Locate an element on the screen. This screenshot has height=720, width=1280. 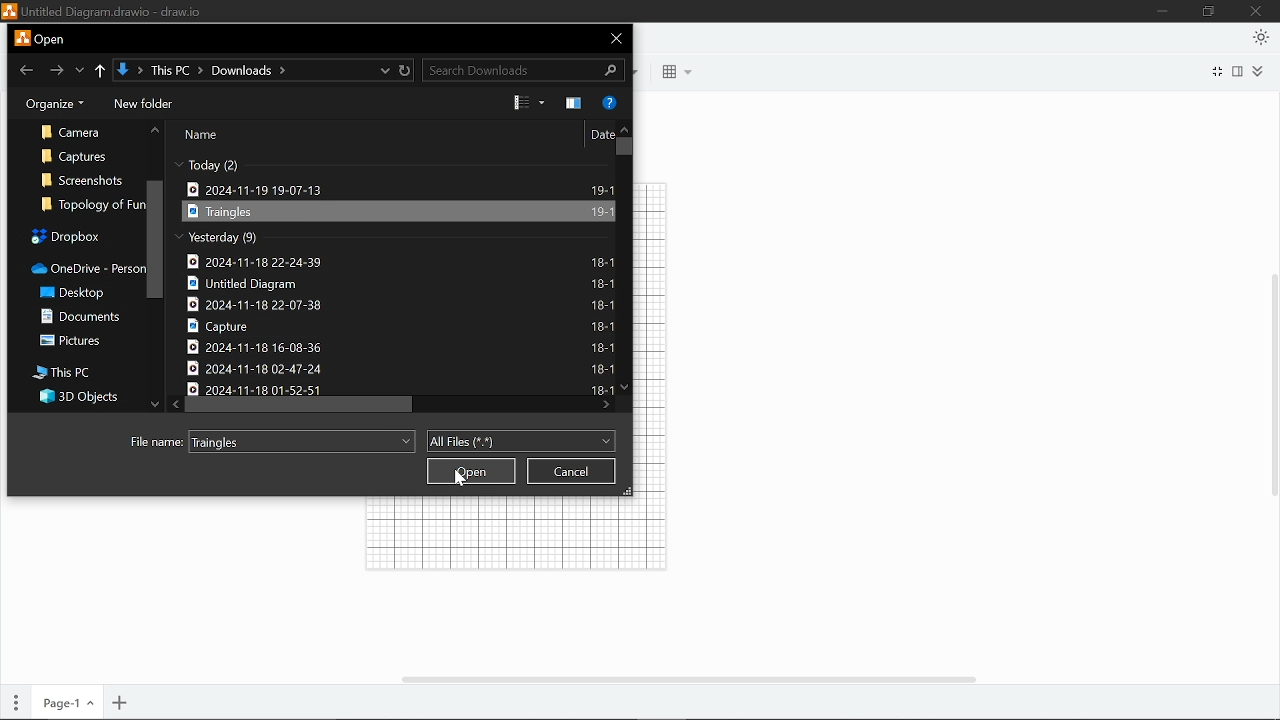
Current page is located at coordinates (63, 704).